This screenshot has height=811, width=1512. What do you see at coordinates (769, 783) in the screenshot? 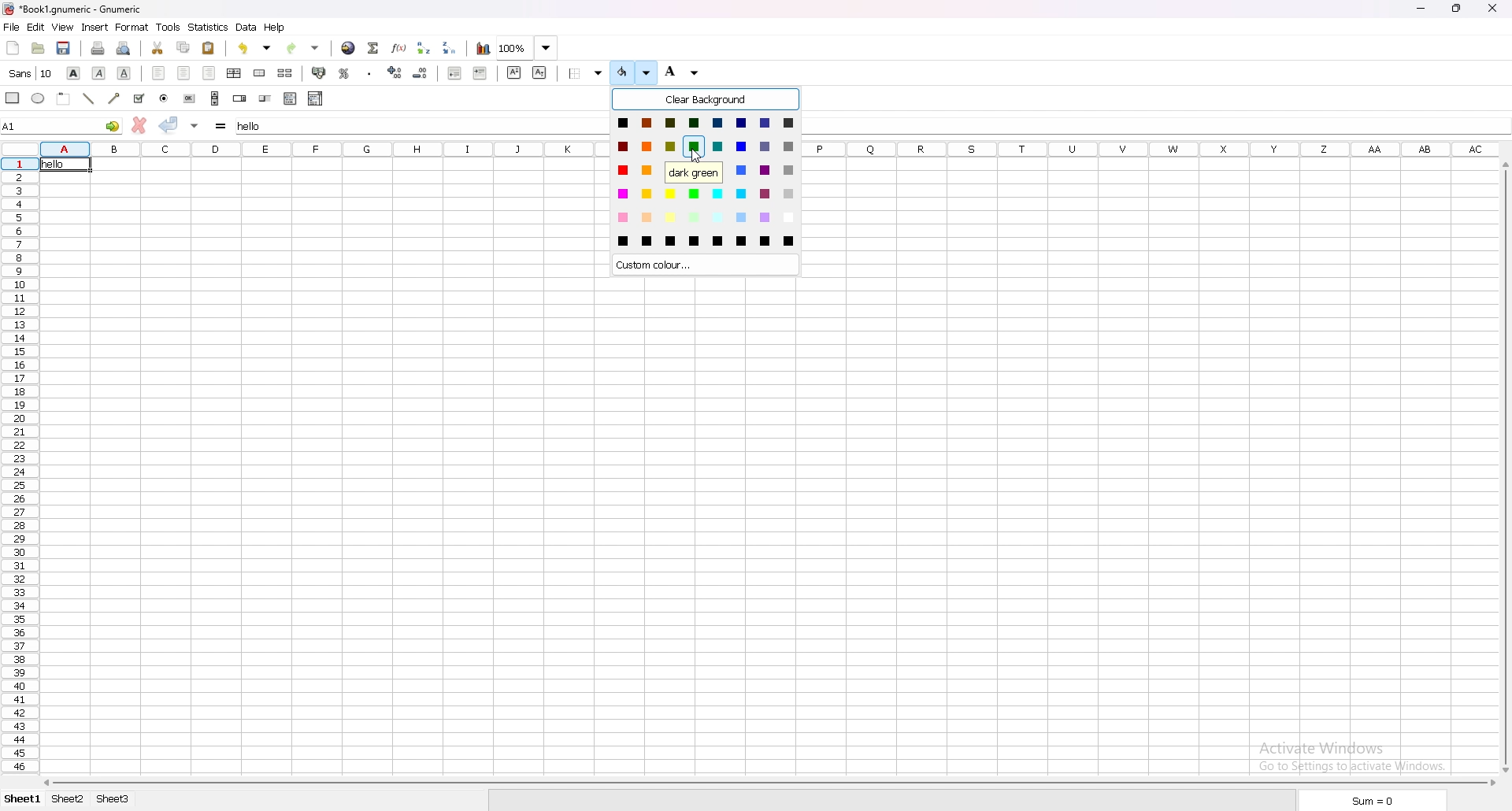
I see `scroll bar` at bounding box center [769, 783].